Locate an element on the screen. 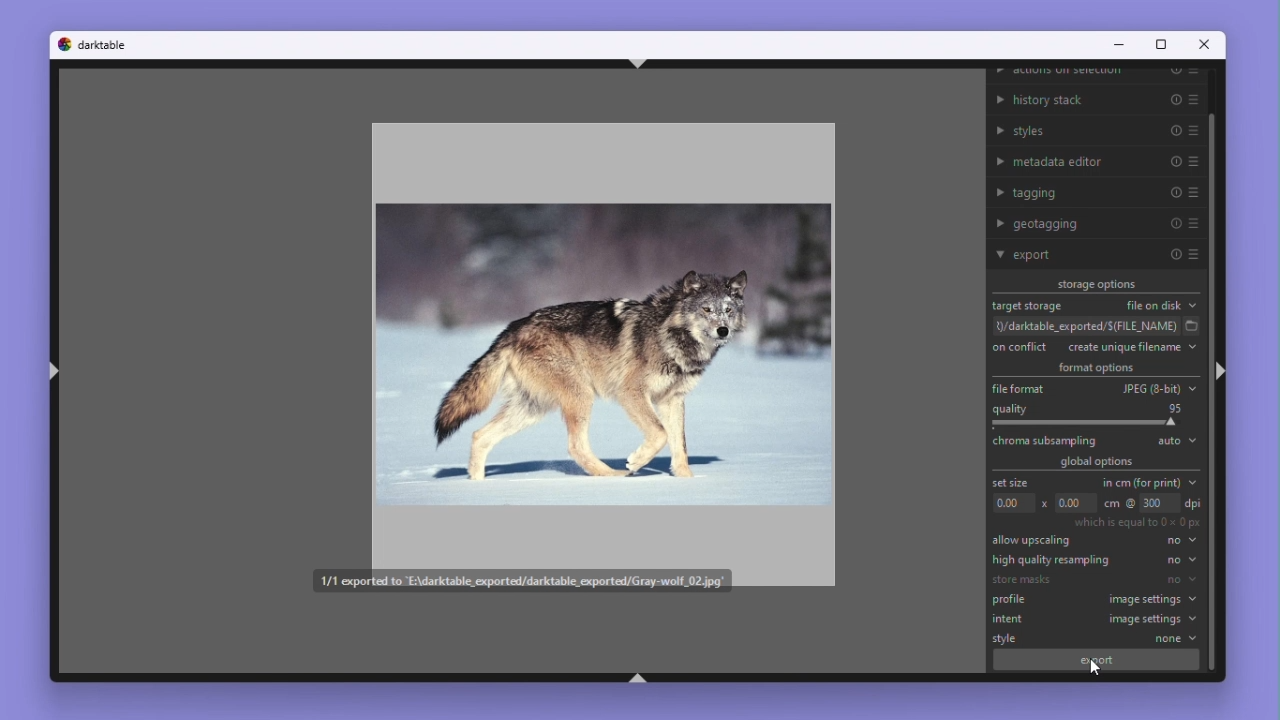  Minimise is located at coordinates (1118, 45).